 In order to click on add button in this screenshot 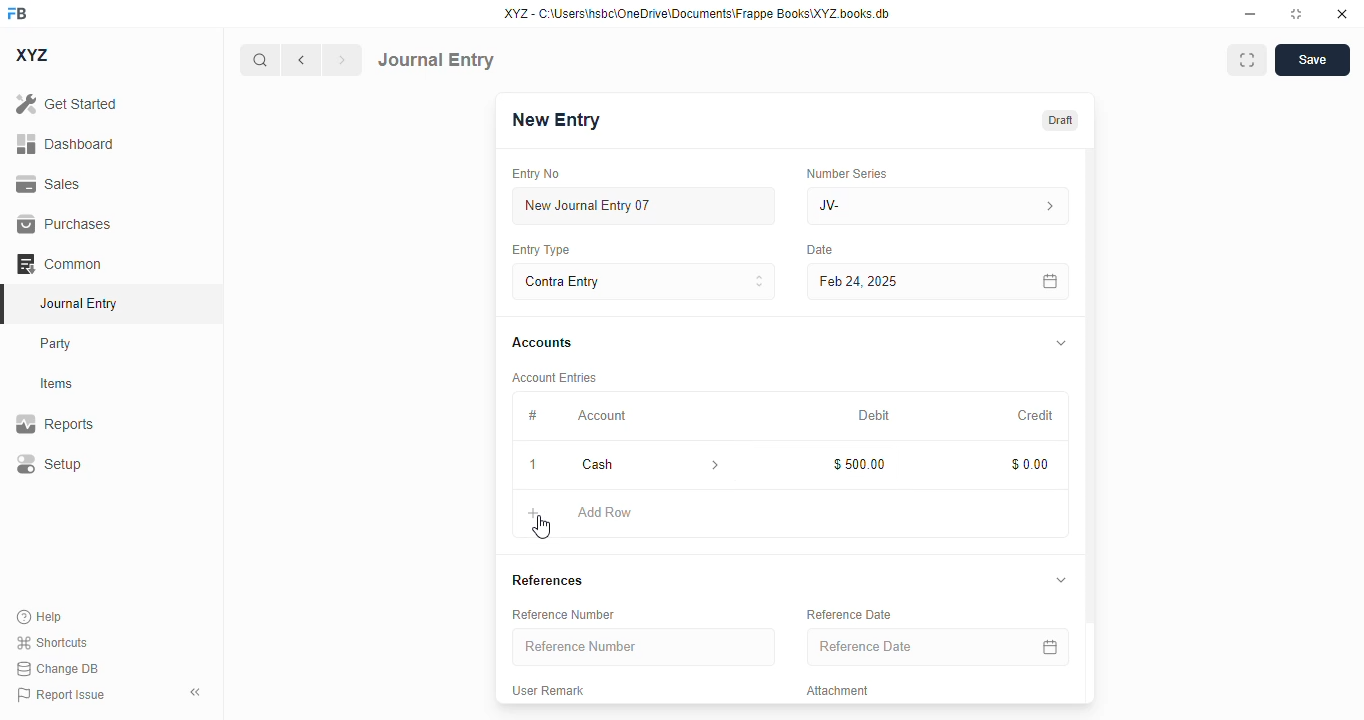, I will do `click(533, 513)`.